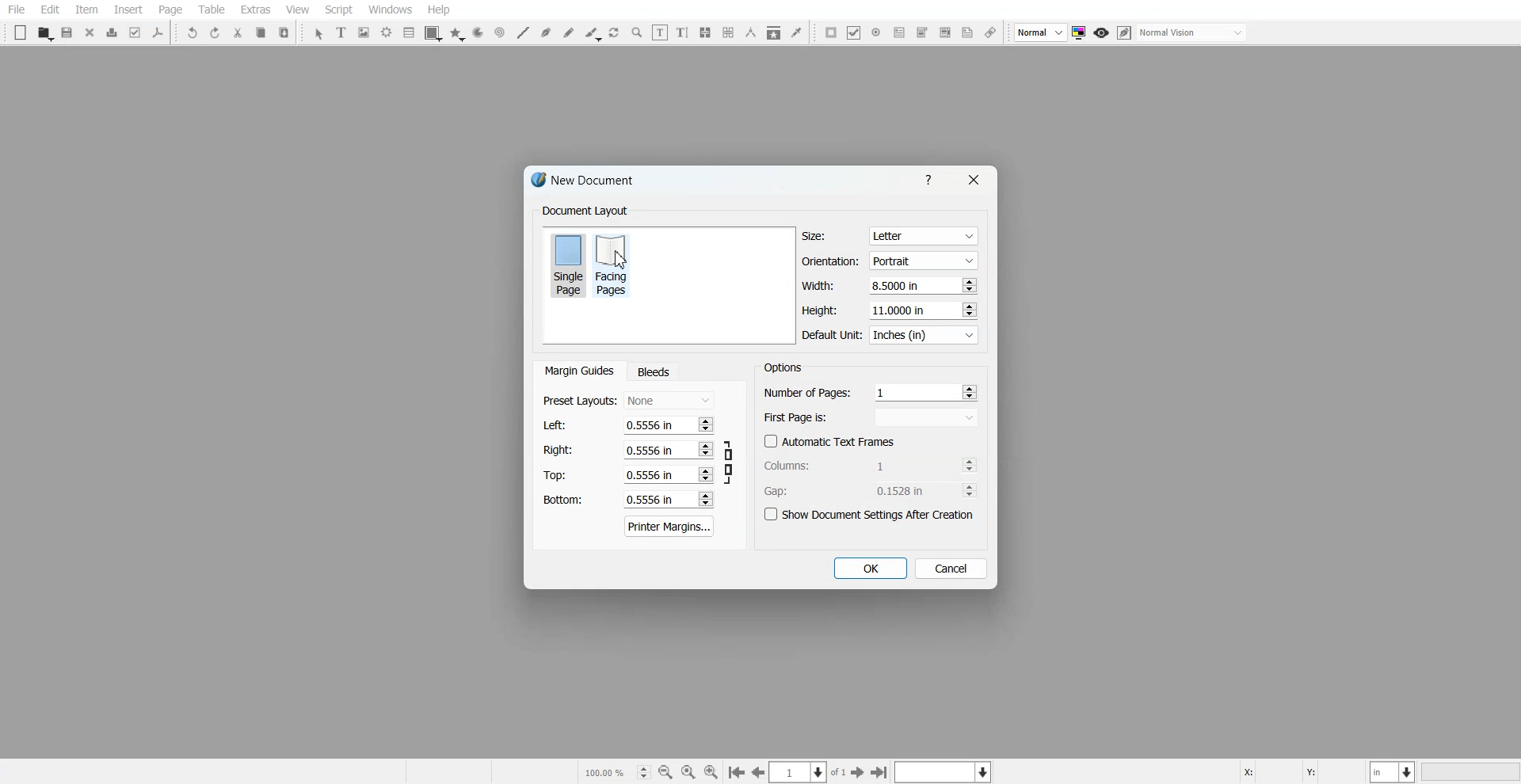 This screenshot has width=1521, height=784. Describe the element at coordinates (869, 569) in the screenshot. I see `OK` at that location.